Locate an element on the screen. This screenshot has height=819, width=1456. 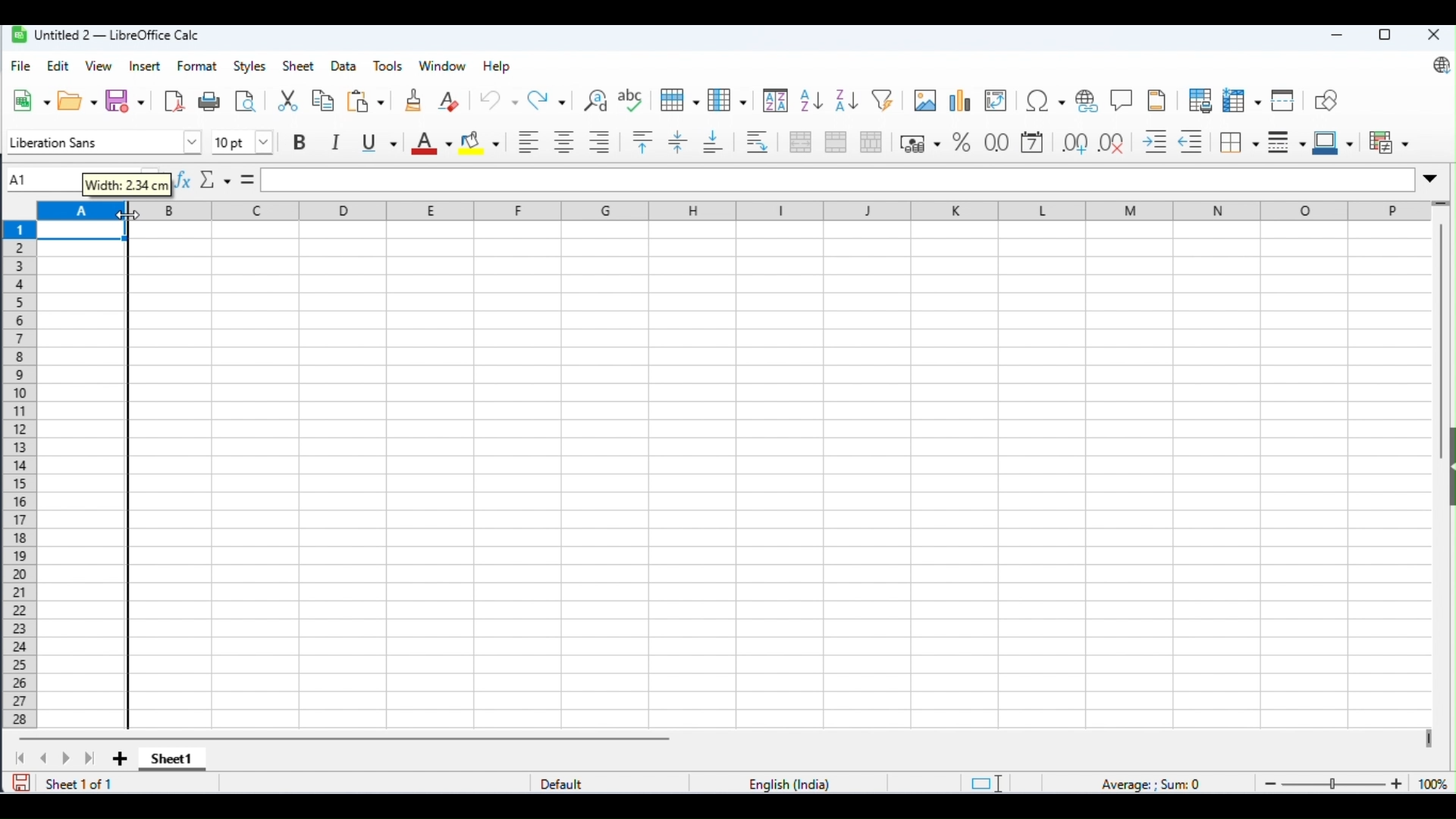
insert or edit pivot table is located at coordinates (996, 102).